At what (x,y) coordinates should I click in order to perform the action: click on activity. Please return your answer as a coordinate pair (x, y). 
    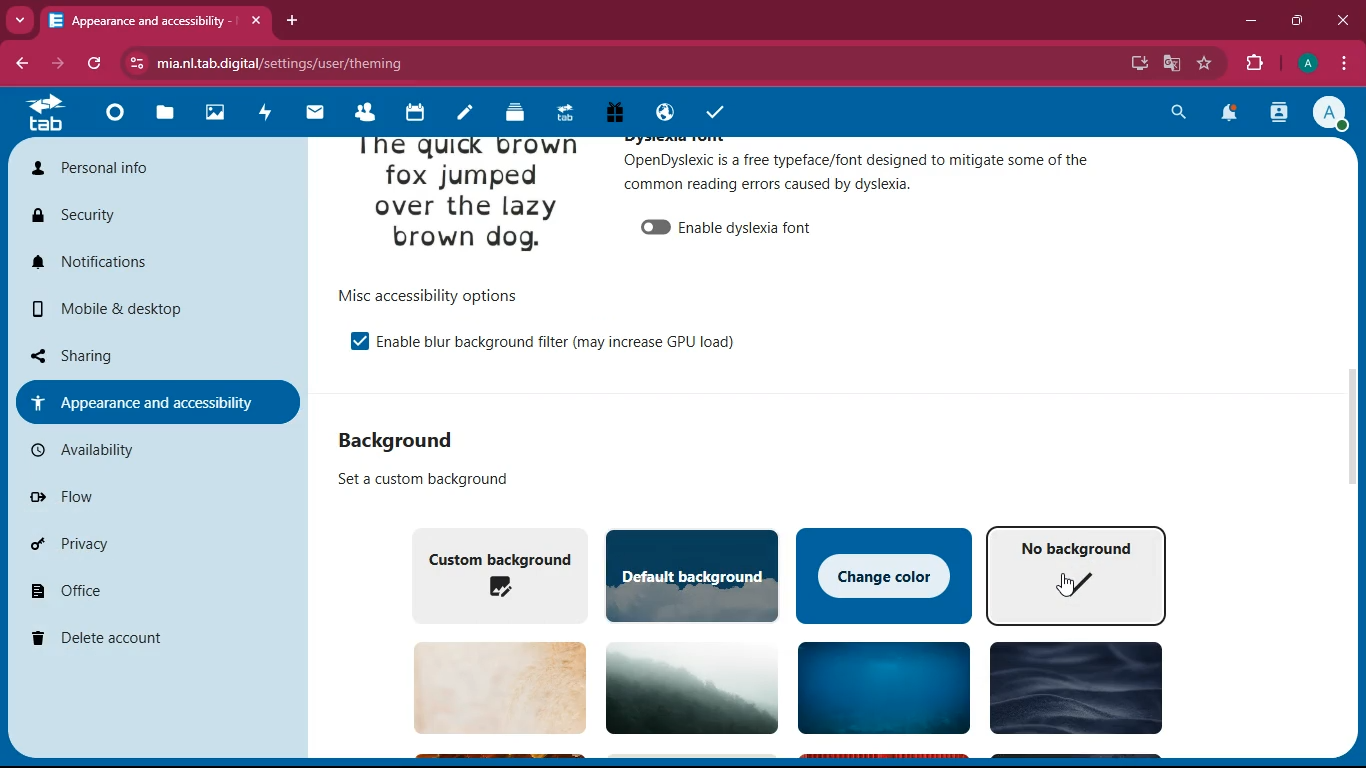
    Looking at the image, I should click on (265, 111).